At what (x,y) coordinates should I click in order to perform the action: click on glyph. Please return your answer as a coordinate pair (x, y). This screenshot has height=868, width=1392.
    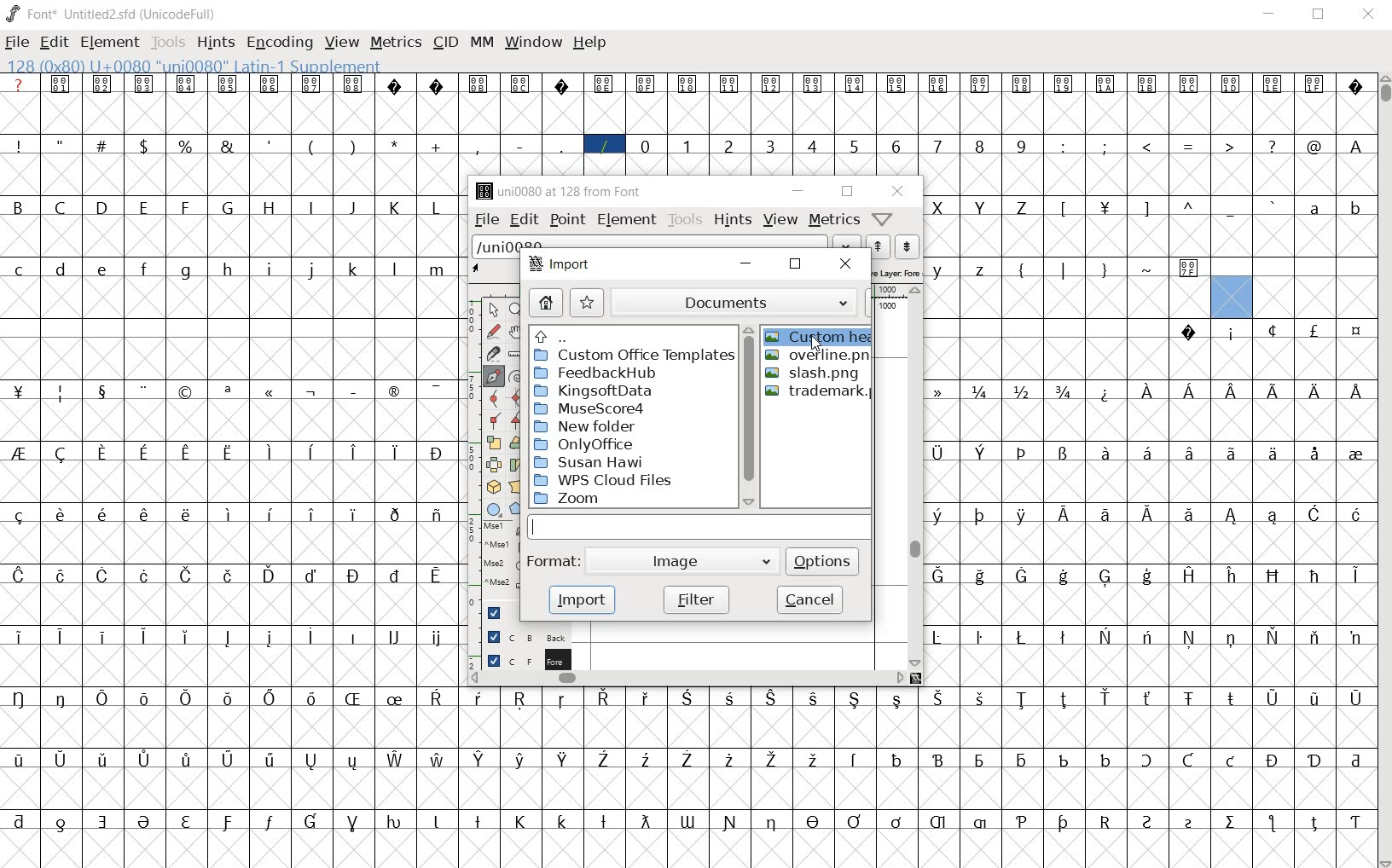
    Looking at the image, I should click on (731, 698).